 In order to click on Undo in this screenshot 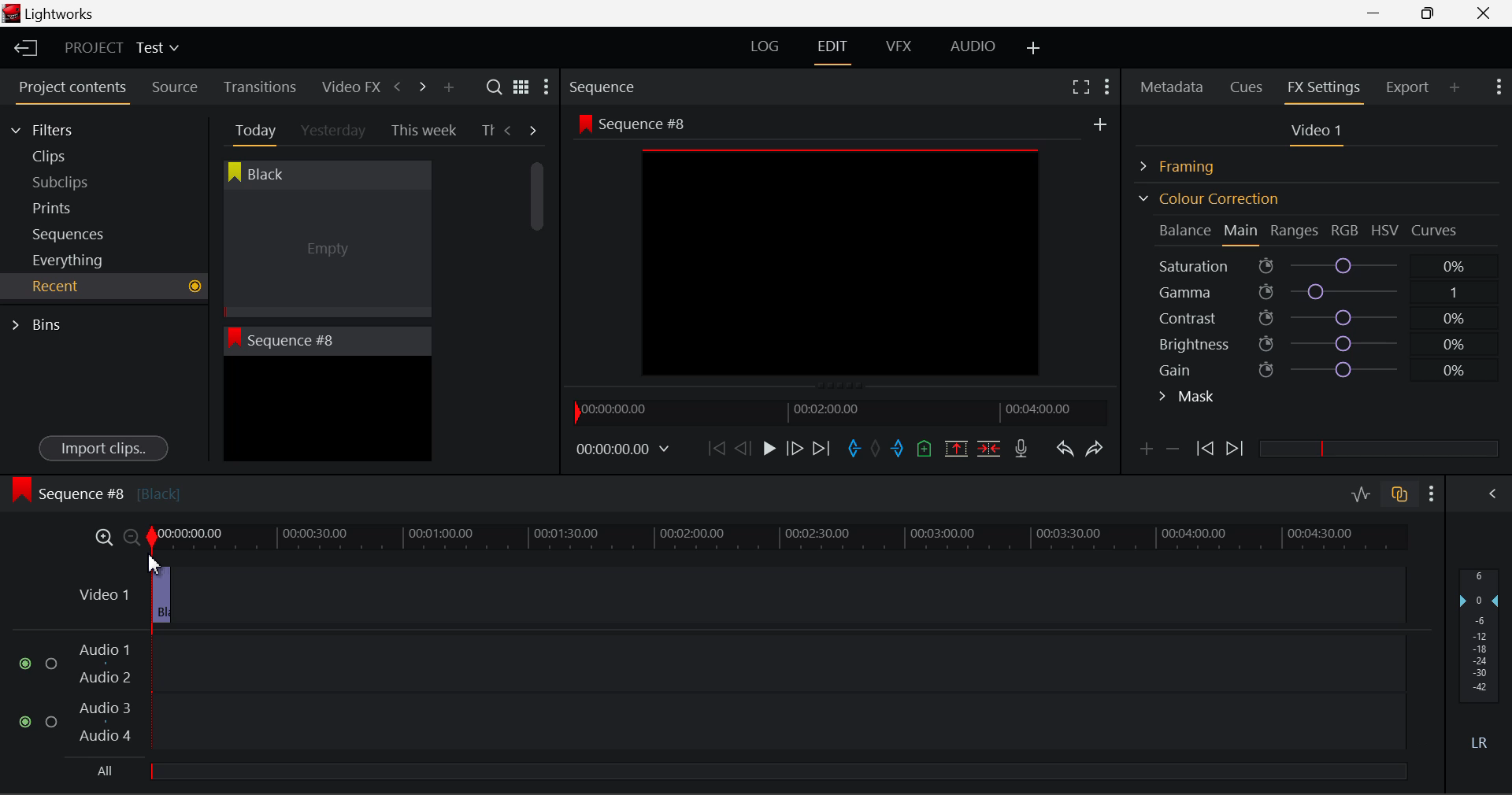, I will do `click(1064, 452)`.